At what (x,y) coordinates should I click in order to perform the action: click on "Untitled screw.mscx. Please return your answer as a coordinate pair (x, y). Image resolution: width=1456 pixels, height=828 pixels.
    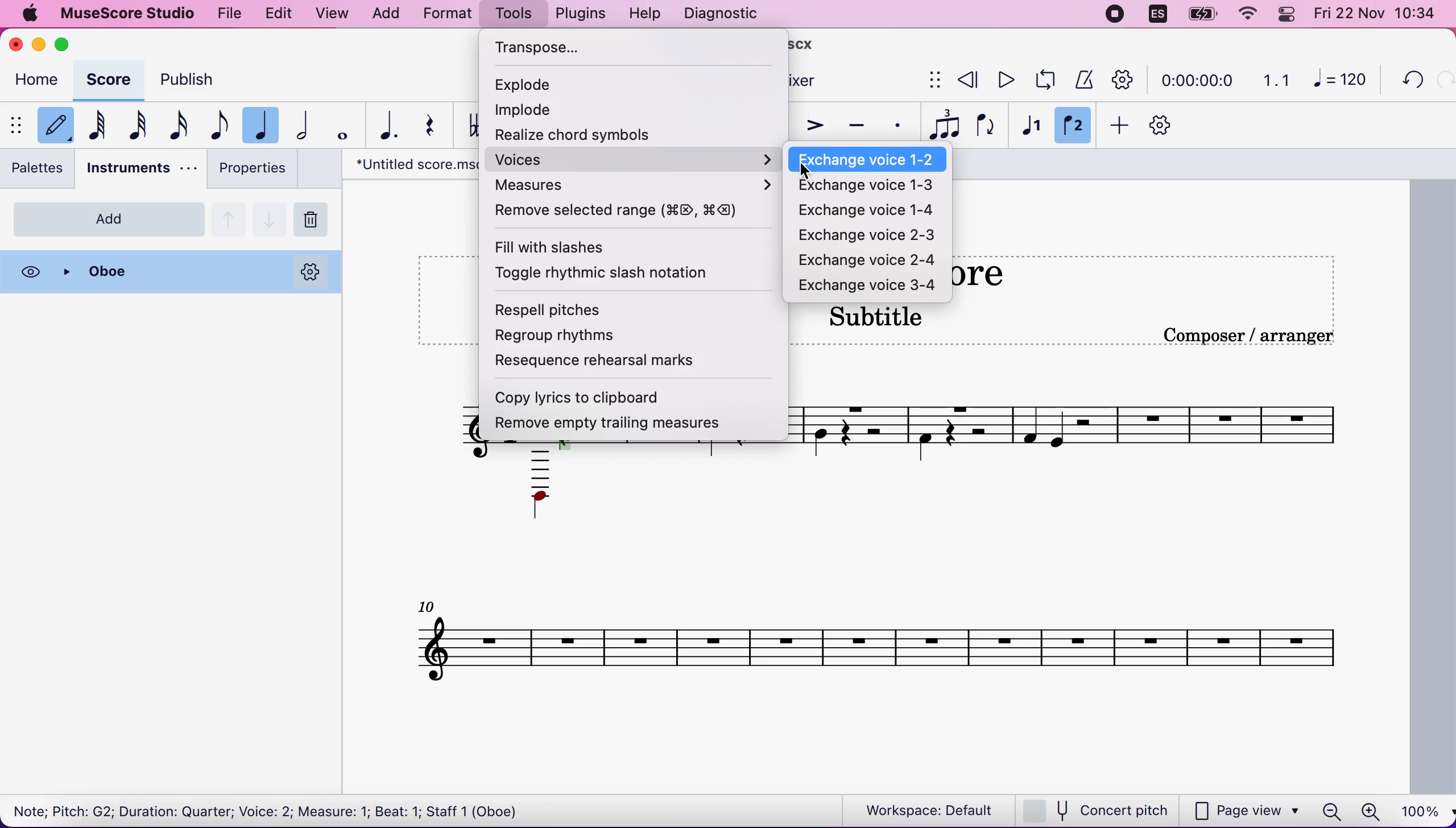
    Looking at the image, I should click on (413, 165).